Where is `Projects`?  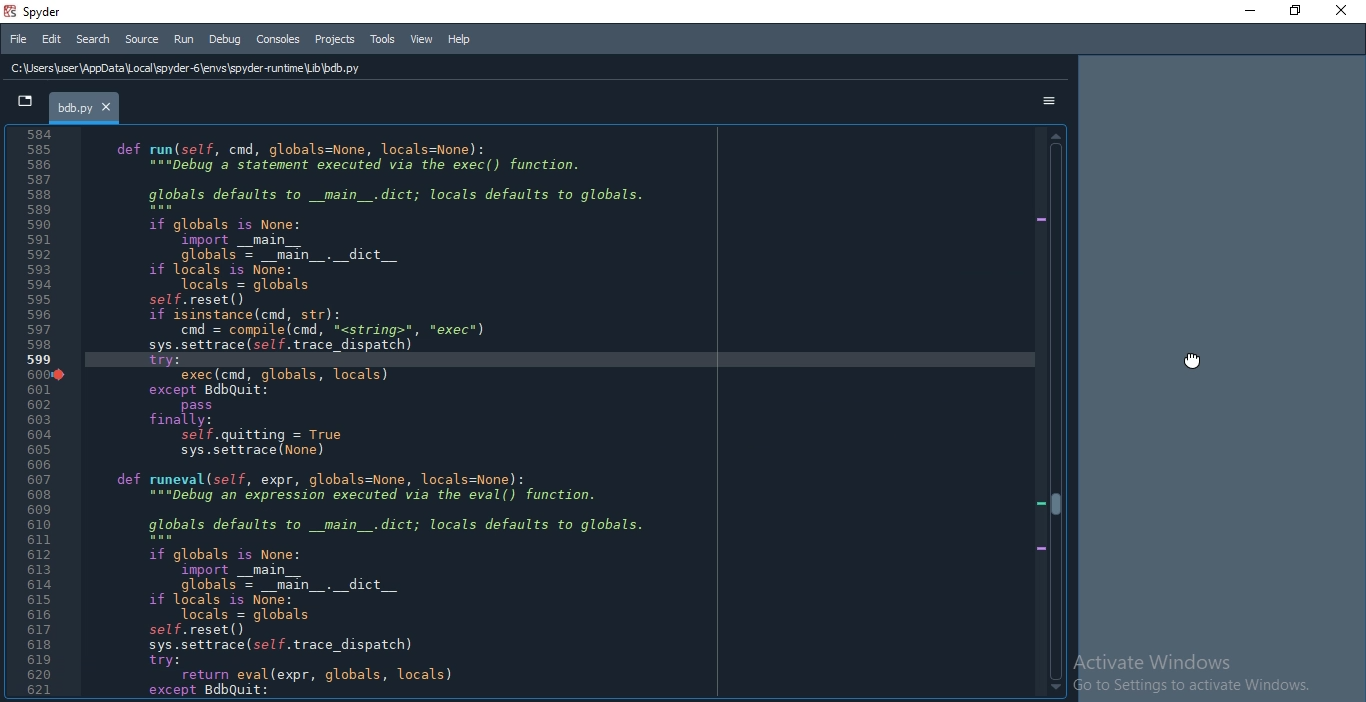 Projects is located at coordinates (335, 39).